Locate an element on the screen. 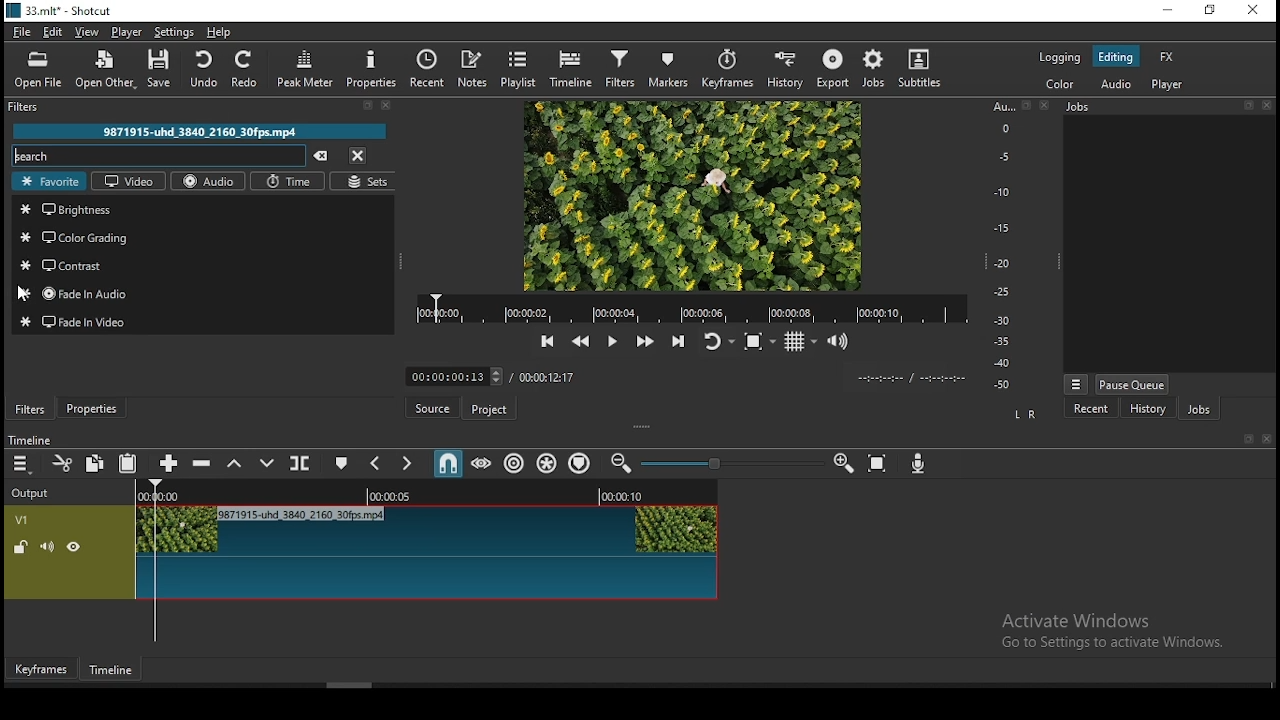  history is located at coordinates (1148, 409).